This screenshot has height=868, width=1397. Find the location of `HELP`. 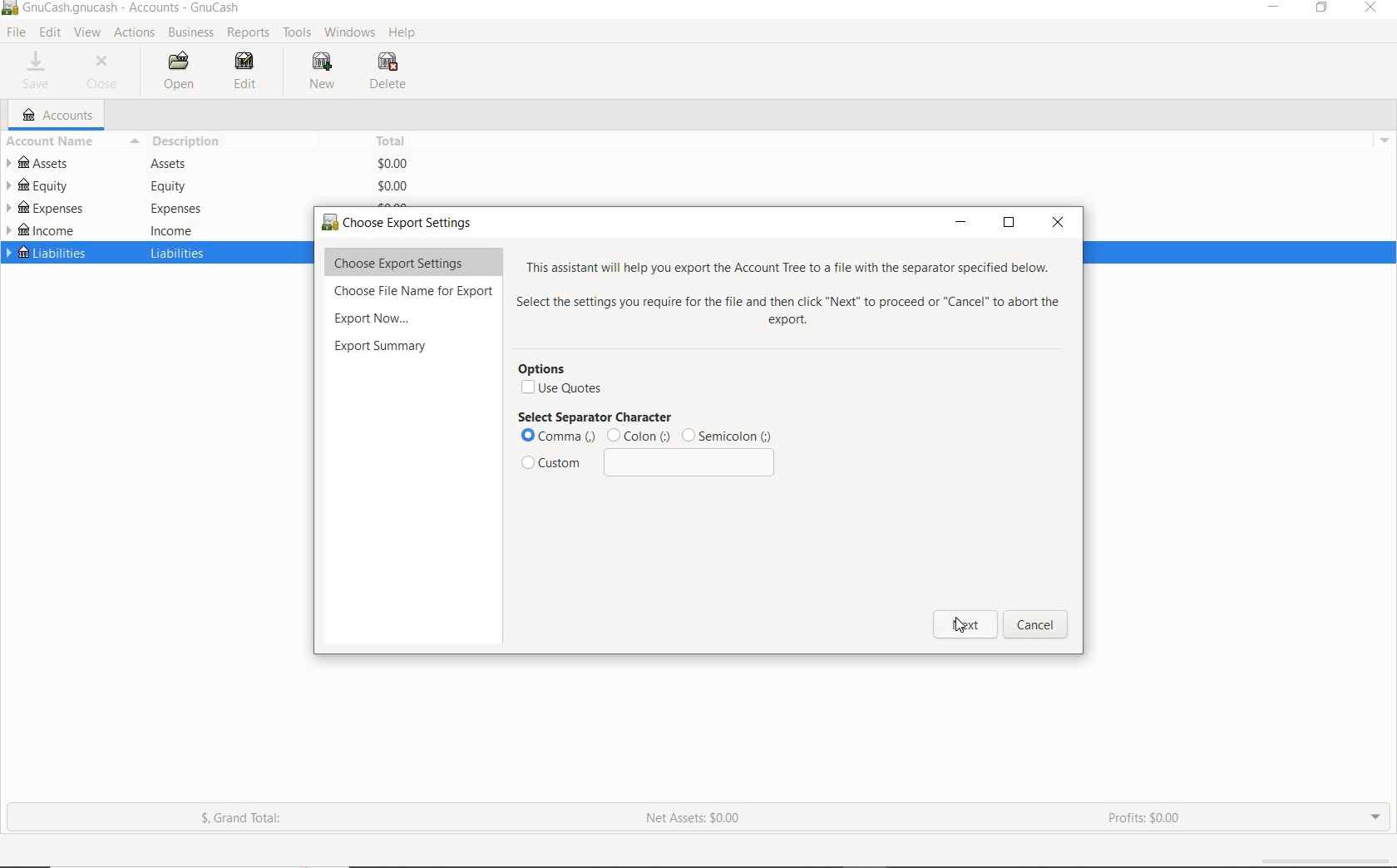

HELP is located at coordinates (402, 33).